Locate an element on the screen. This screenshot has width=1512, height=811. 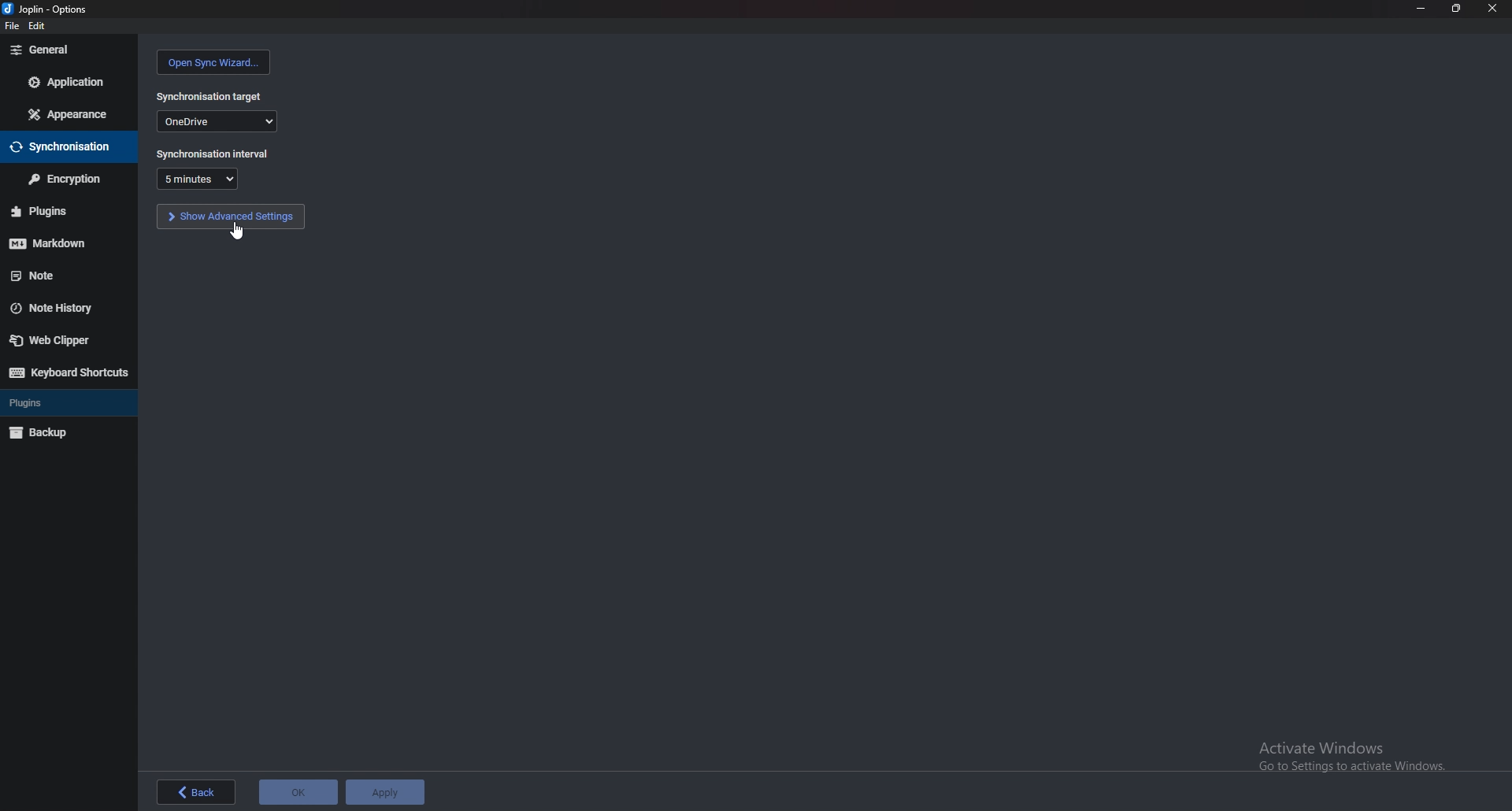
backup is located at coordinates (64, 431).